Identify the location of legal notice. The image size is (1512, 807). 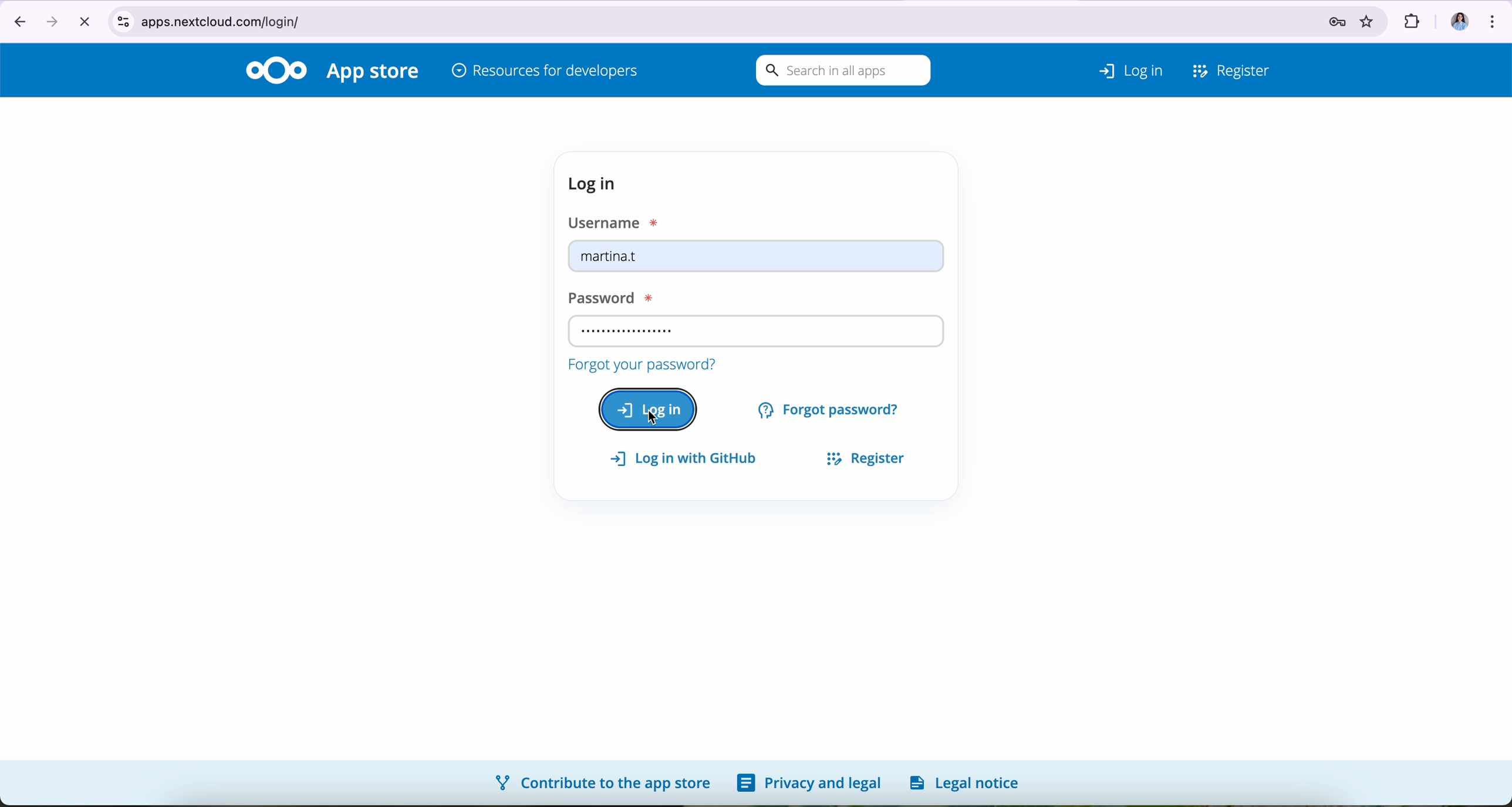
(968, 782).